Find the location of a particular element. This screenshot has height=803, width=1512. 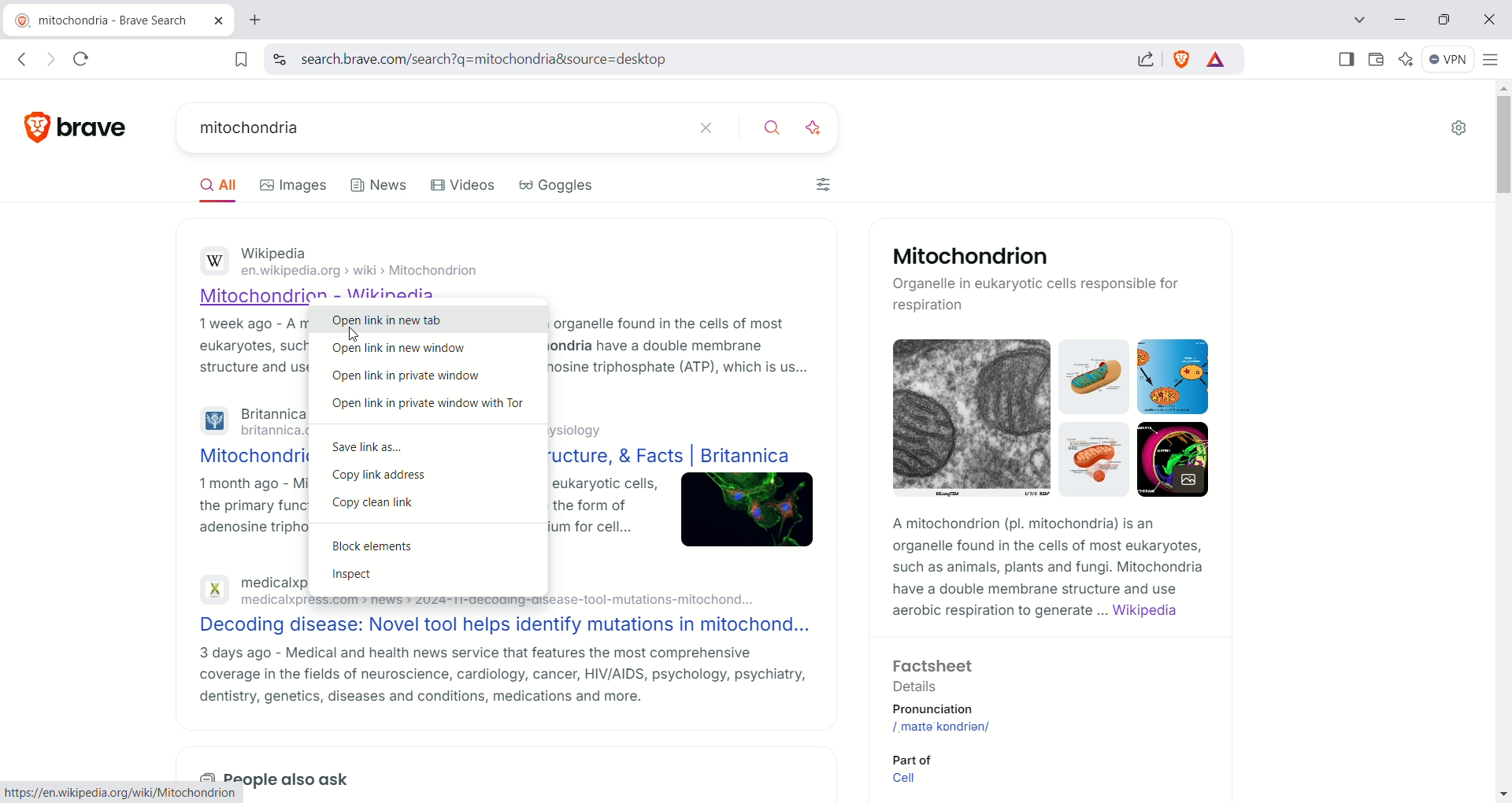

medicalexpress logo is located at coordinates (216, 590).